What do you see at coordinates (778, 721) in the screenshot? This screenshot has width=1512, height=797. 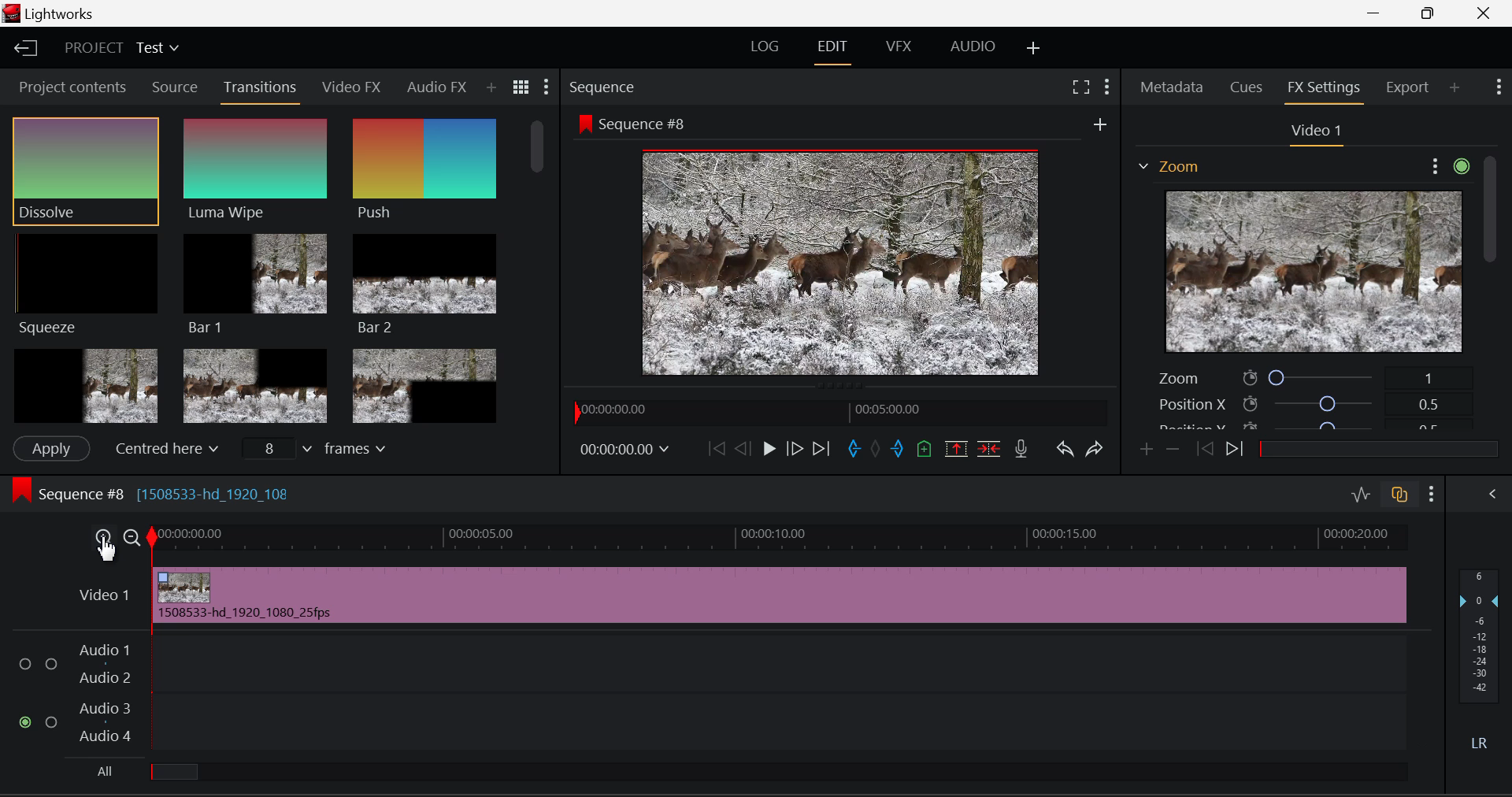 I see `Audio Input Field ` at bounding box center [778, 721].